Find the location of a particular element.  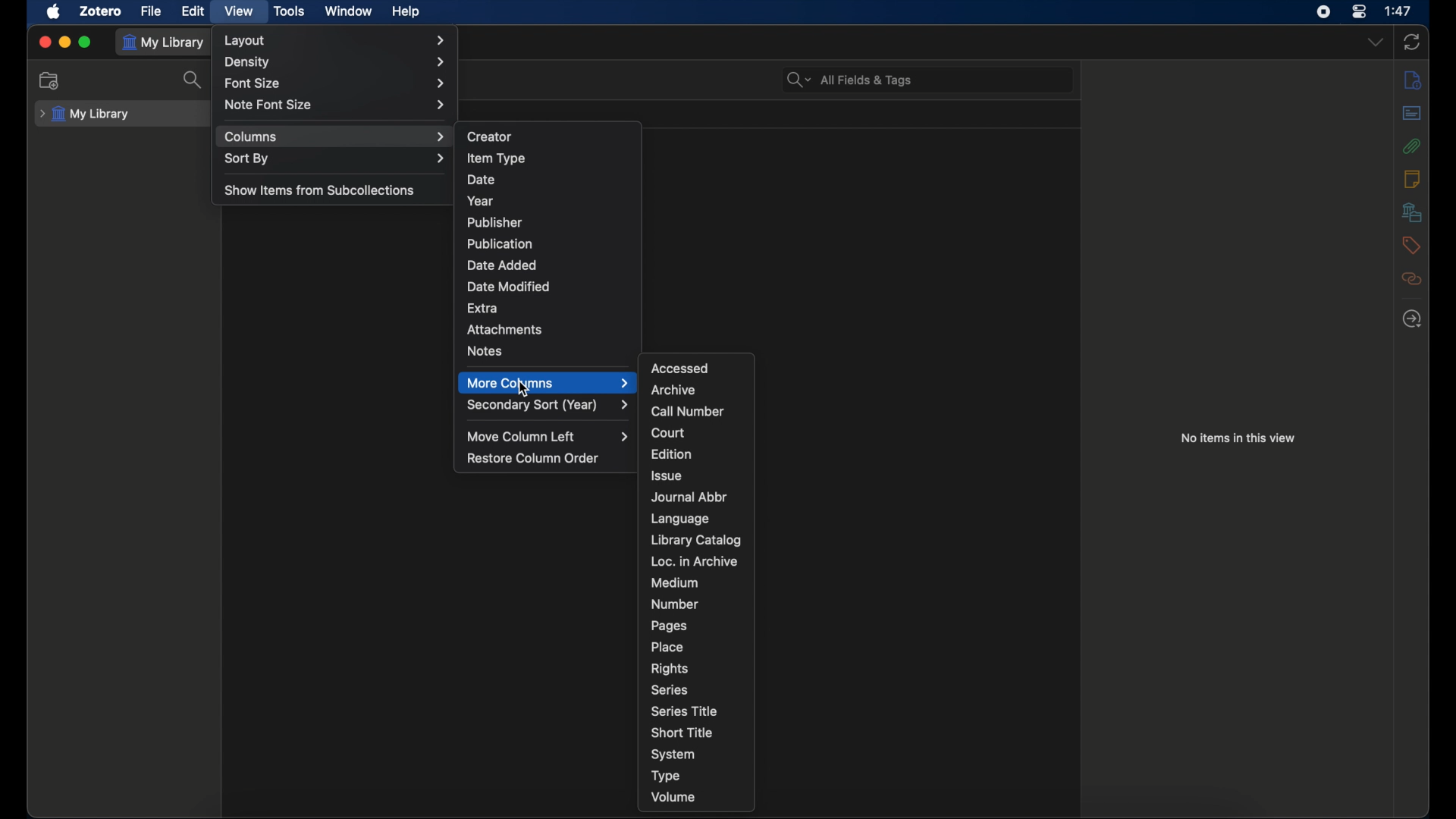

issue is located at coordinates (666, 475).